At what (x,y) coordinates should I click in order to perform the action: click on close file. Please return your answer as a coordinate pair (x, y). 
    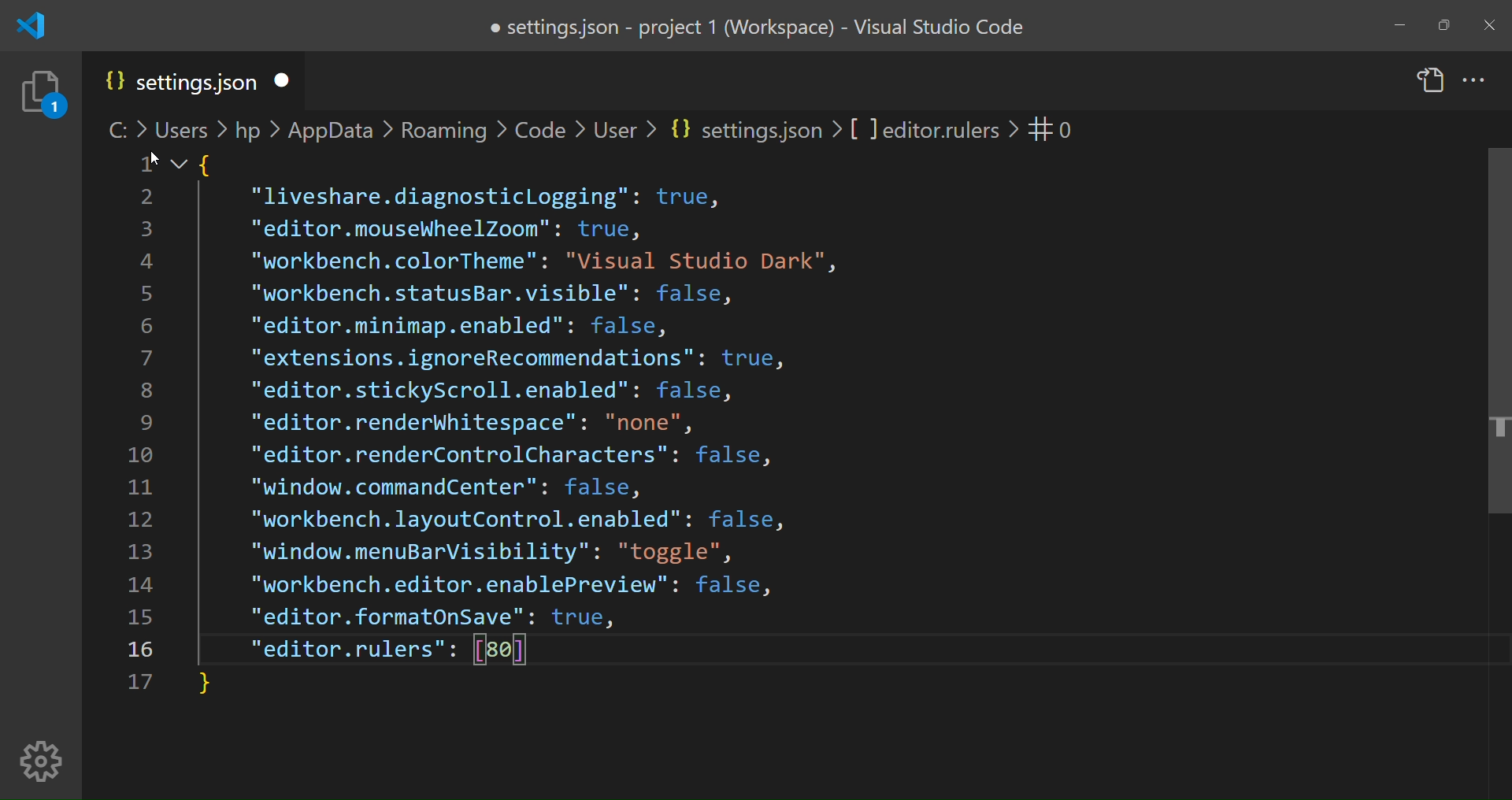
    Looking at the image, I should click on (290, 79).